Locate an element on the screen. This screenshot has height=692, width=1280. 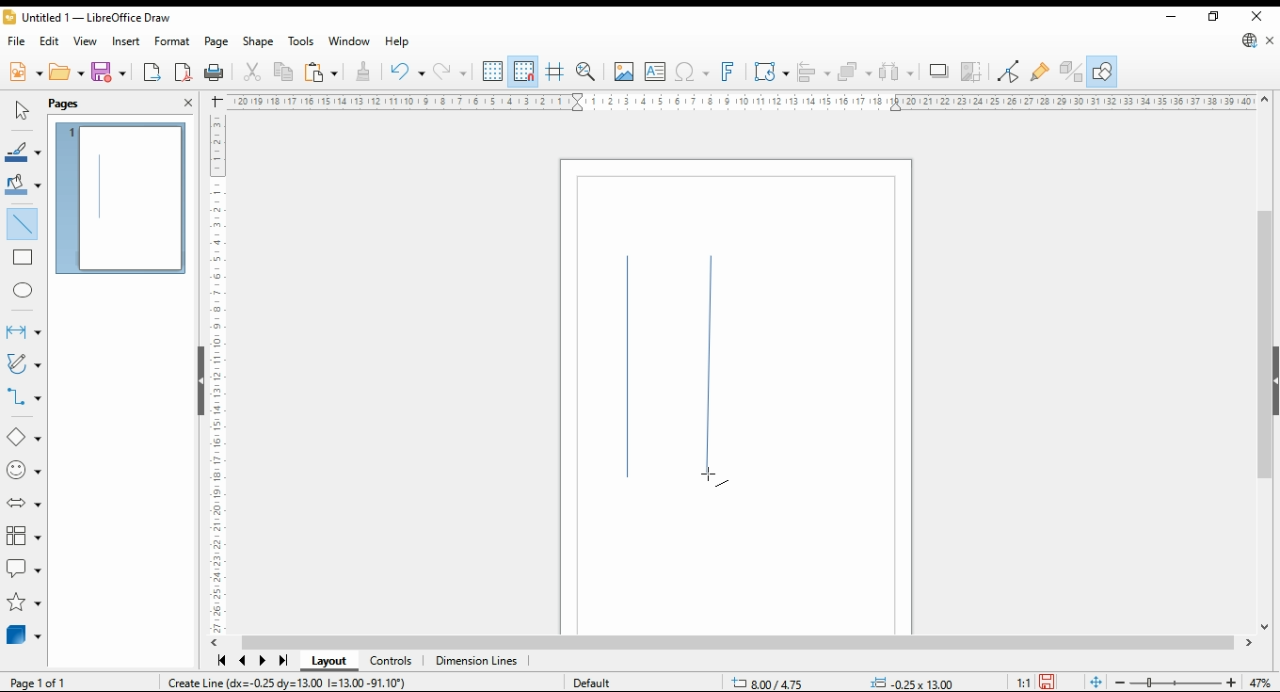
collapse is located at coordinates (199, 379).